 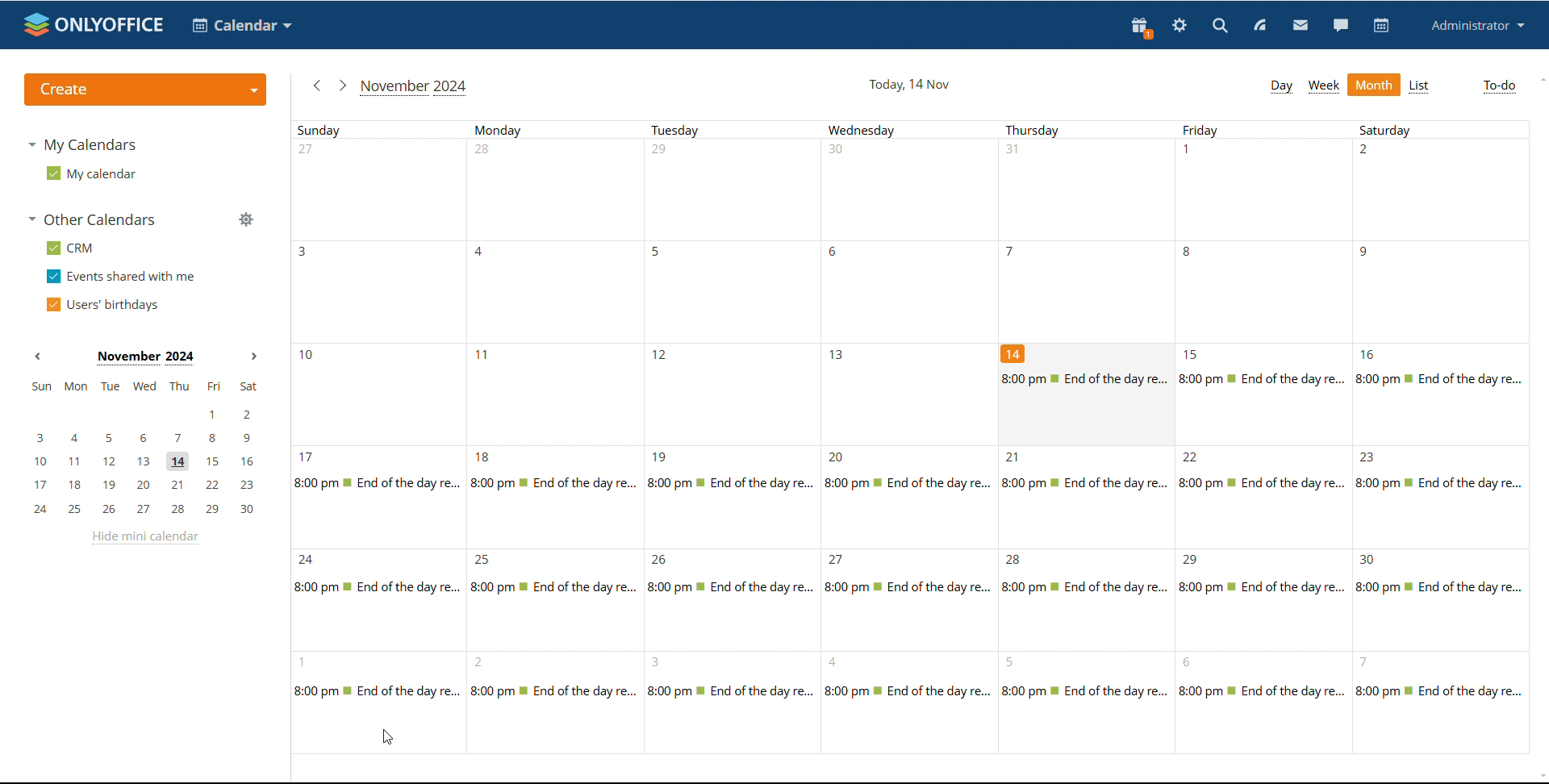 I want to click on present, so click(x=1140, y=27).